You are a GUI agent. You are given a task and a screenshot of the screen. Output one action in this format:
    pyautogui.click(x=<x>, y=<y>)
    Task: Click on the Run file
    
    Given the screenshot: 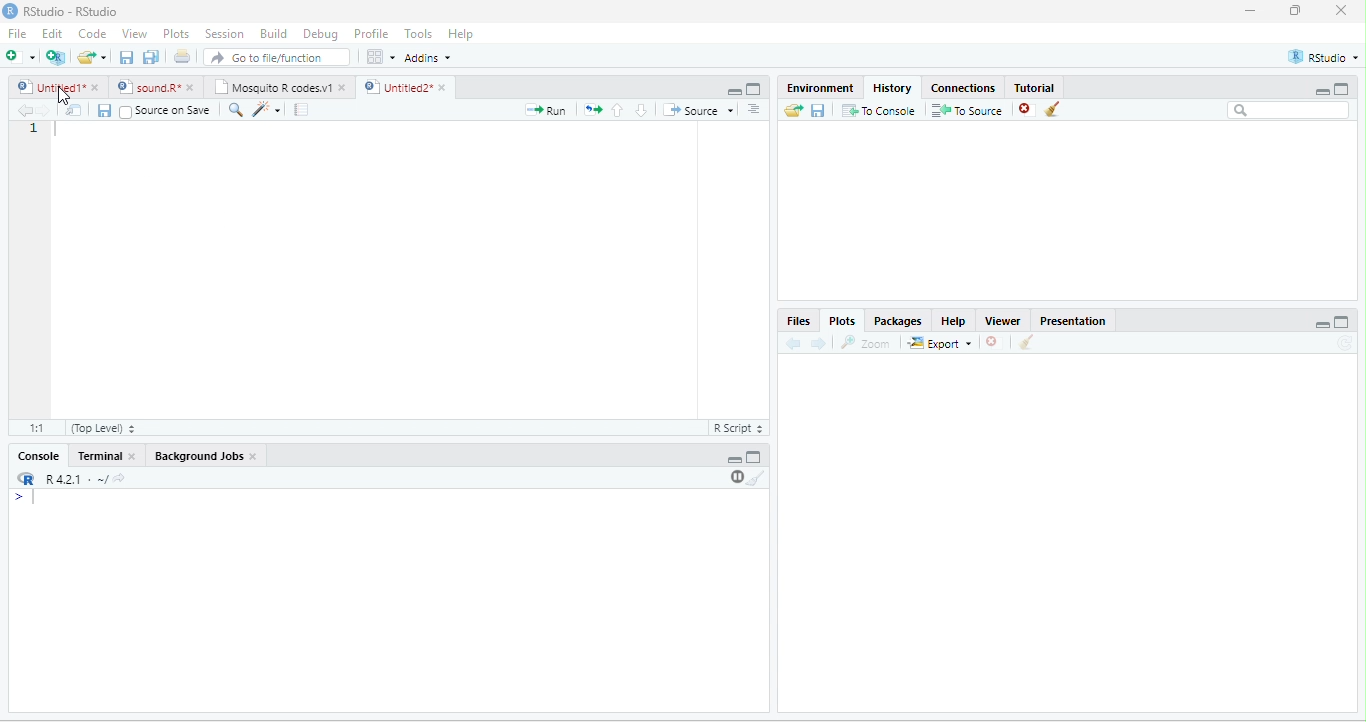 What is the action you would take?
    pyautogui.click(x=545, y=110)
    